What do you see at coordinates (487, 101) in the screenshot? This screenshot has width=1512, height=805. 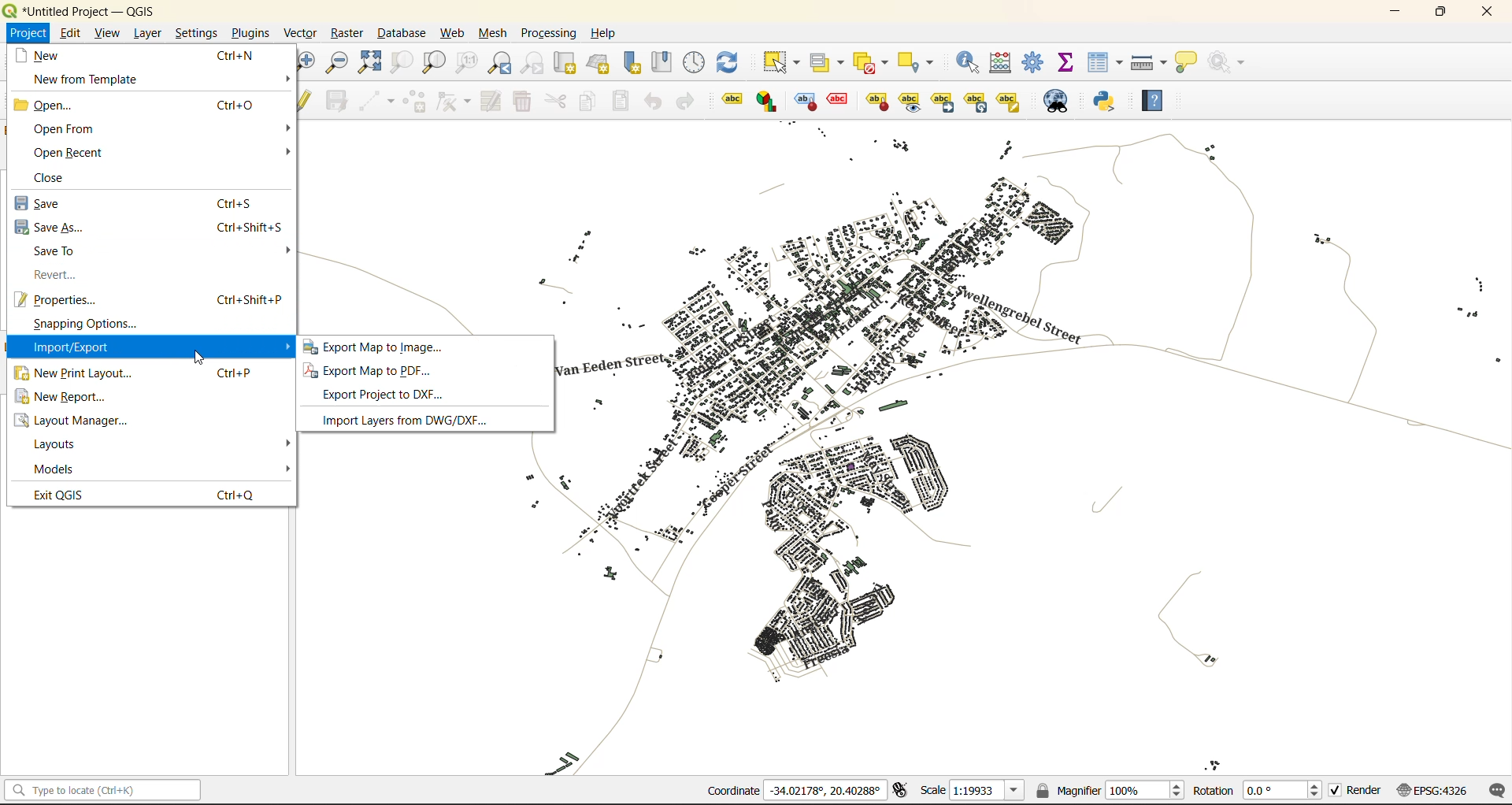 I see `modify` at bounding box center [487, 101].